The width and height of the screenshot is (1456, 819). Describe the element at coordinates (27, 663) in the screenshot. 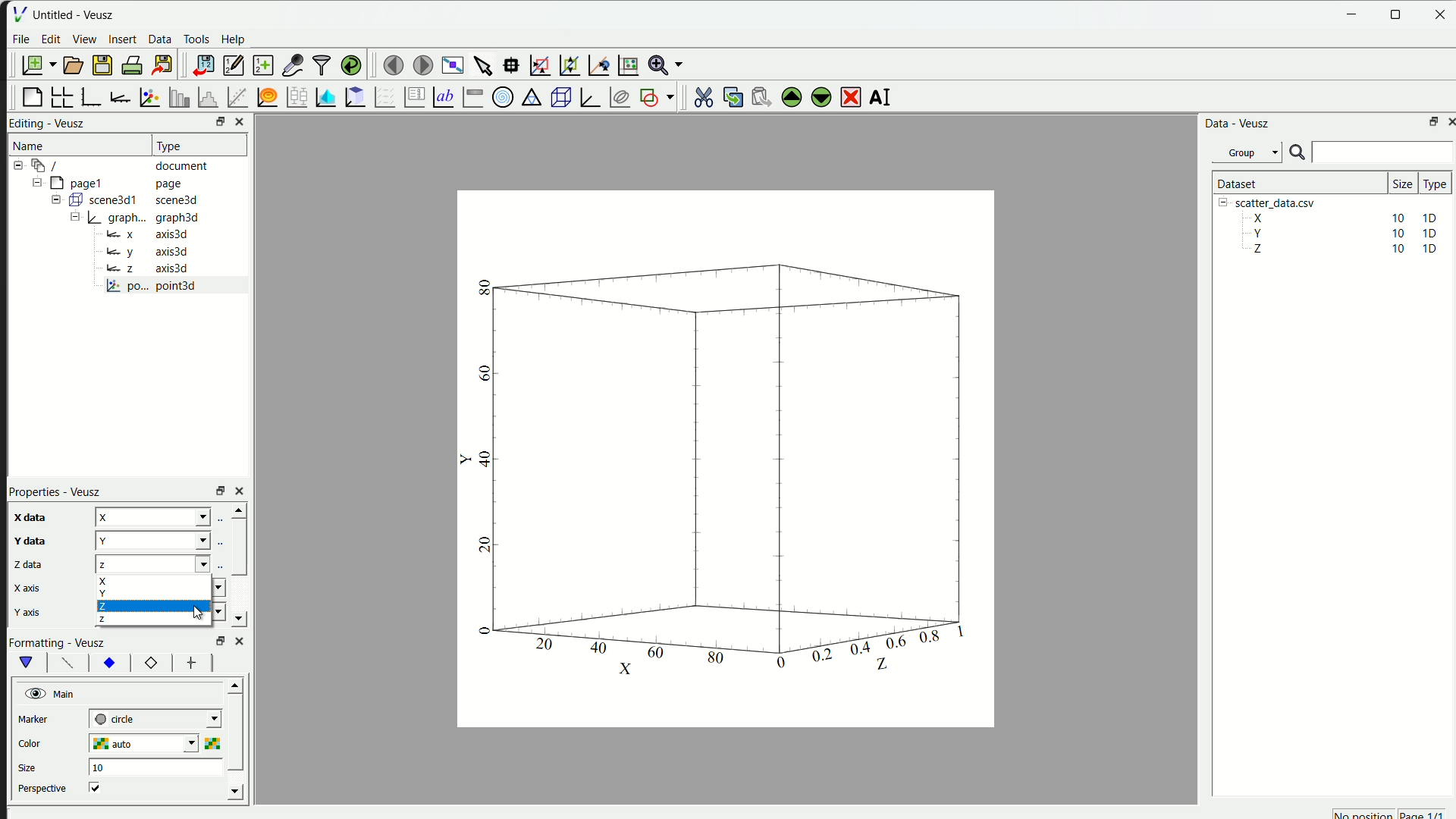

I see `vShape` at that location.